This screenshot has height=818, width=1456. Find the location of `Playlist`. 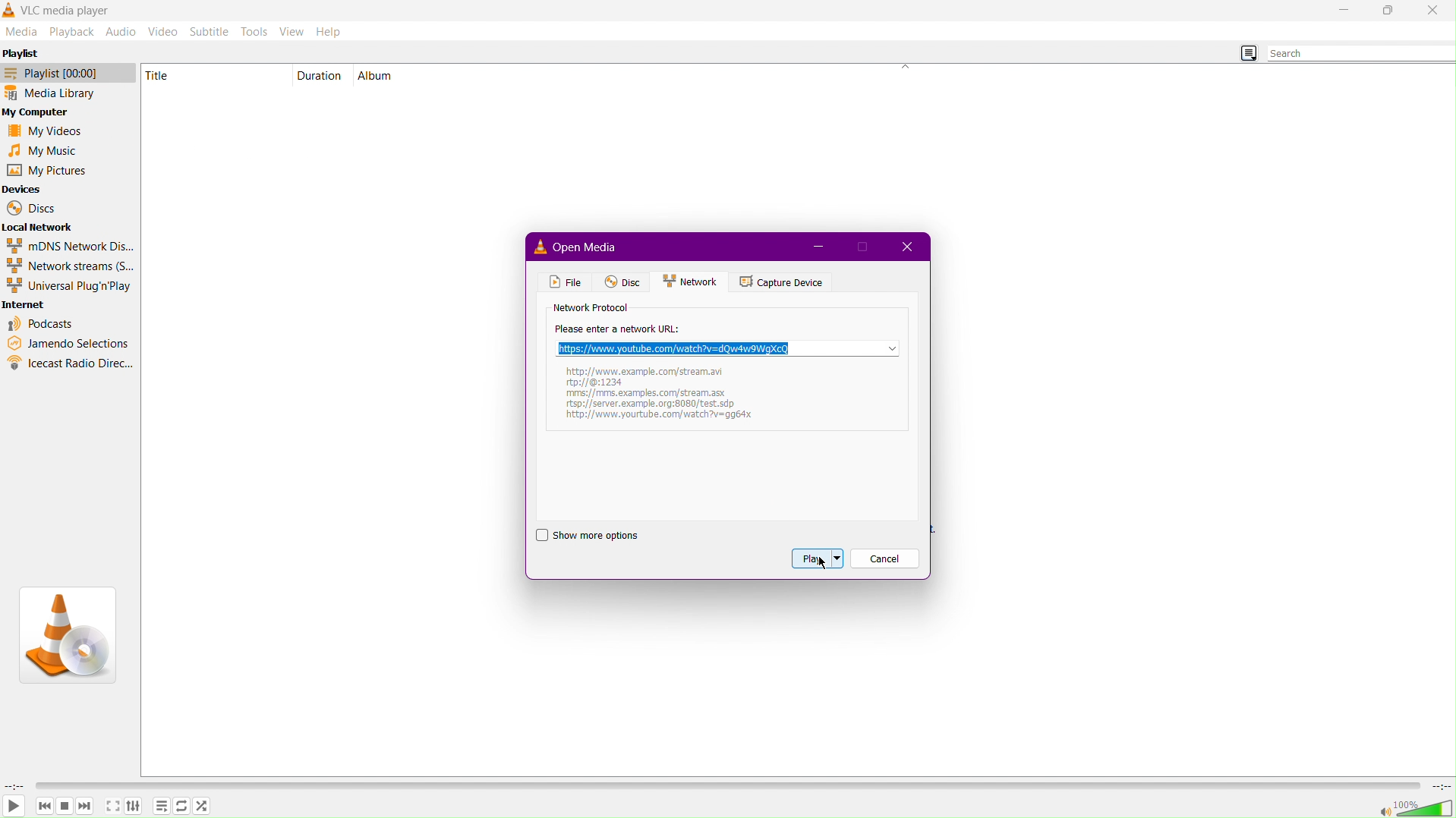

Playlist is located at coordinates (162, 807).